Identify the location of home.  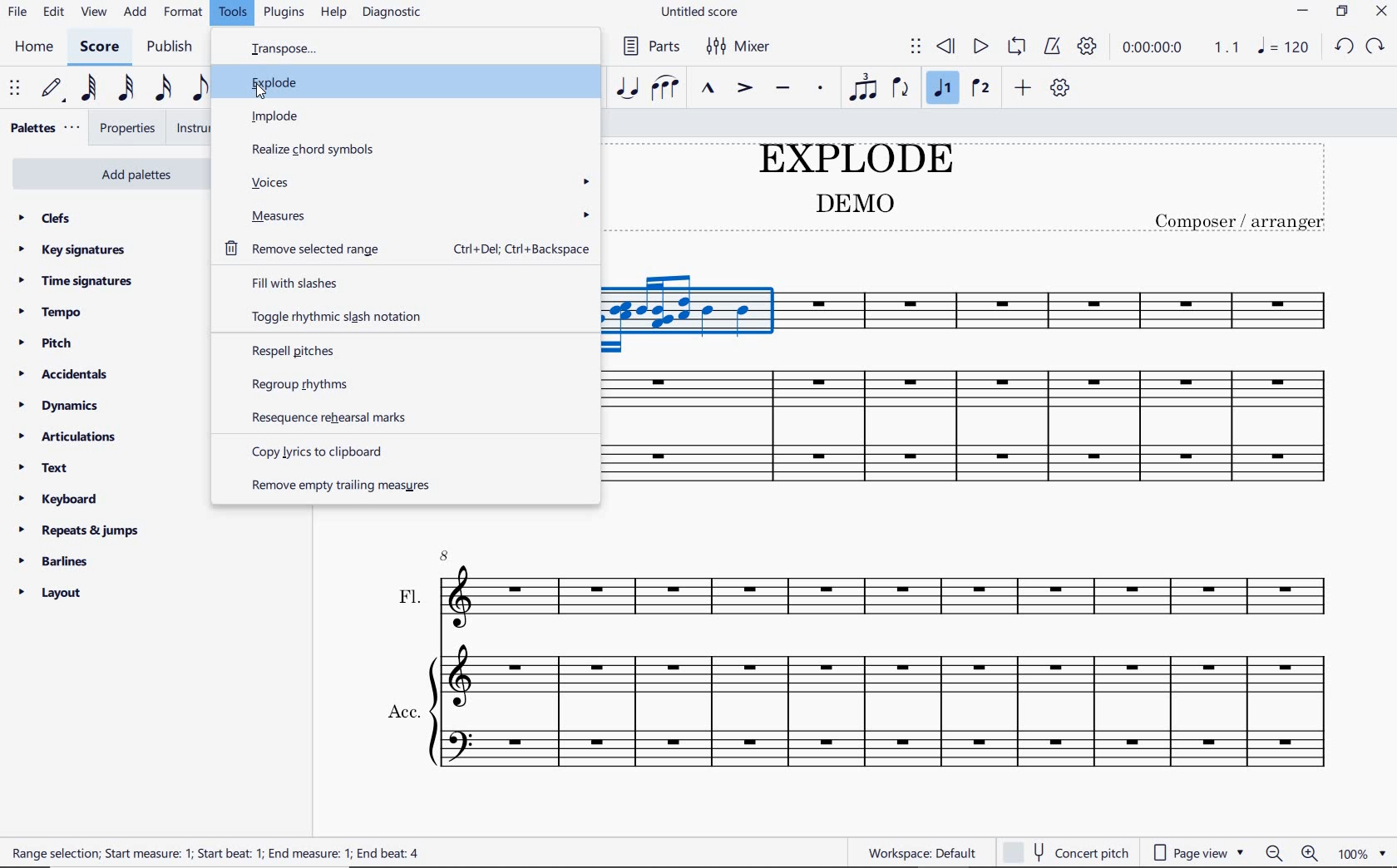
(32, 47).